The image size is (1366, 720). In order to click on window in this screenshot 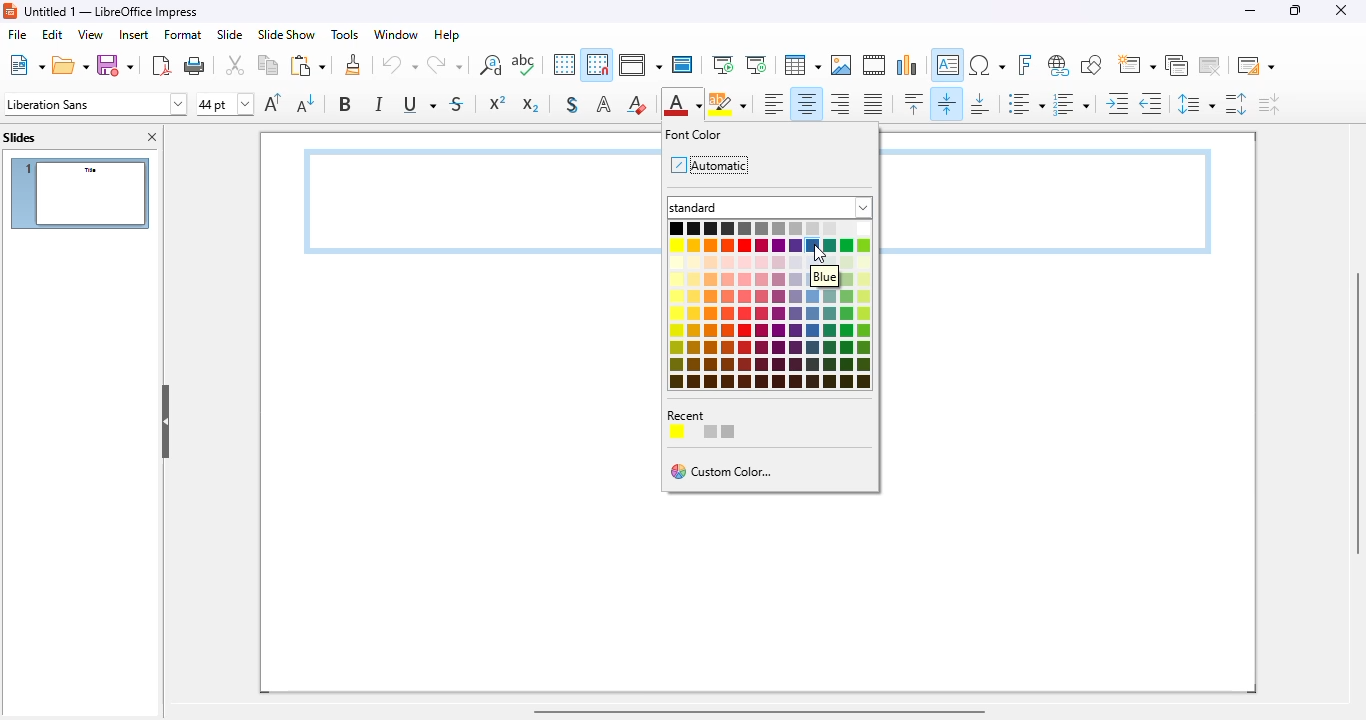, I will do `click(397, 35)`.